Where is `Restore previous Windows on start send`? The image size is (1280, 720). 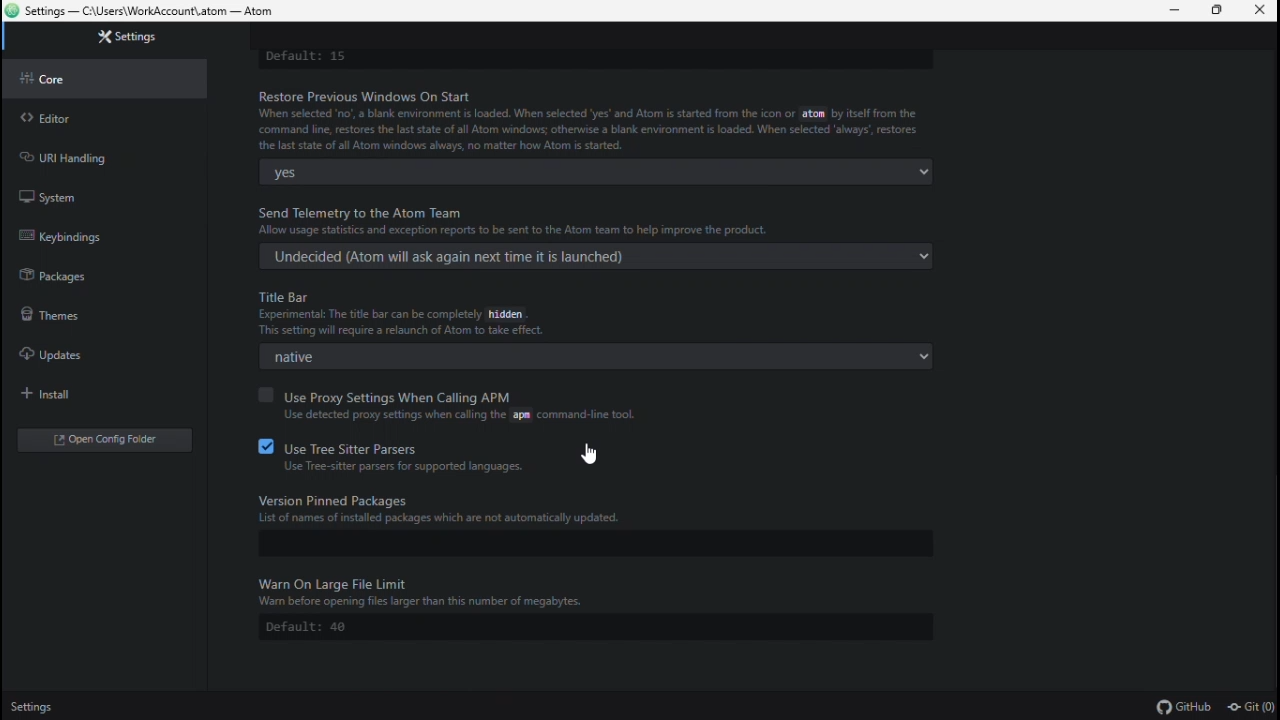
Restore previous Windows on start send is located at coordinates (592, 118).